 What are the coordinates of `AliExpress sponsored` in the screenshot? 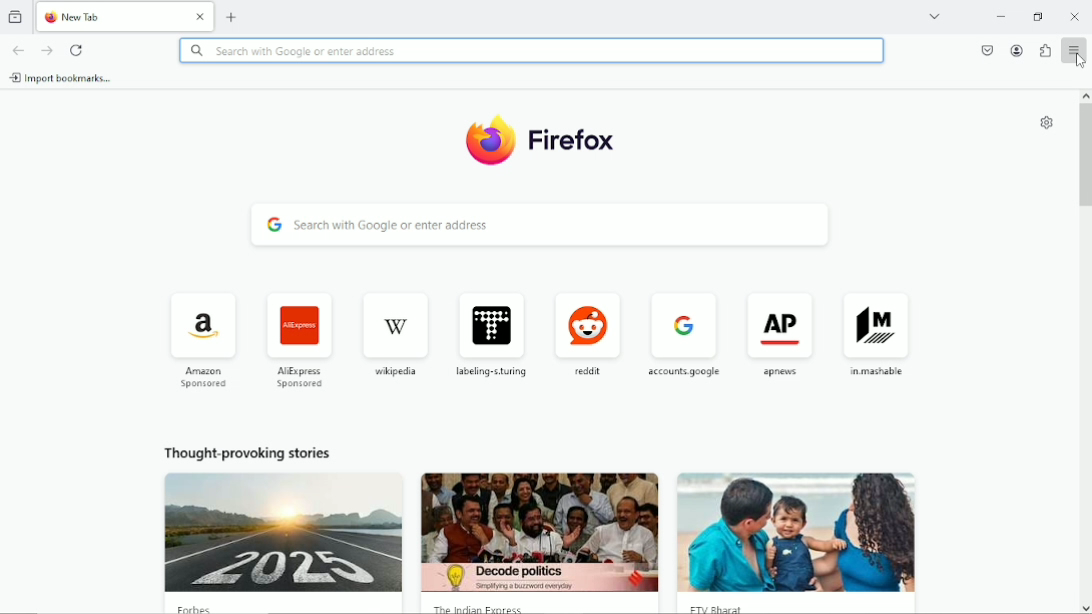 It's located at (296, 336).